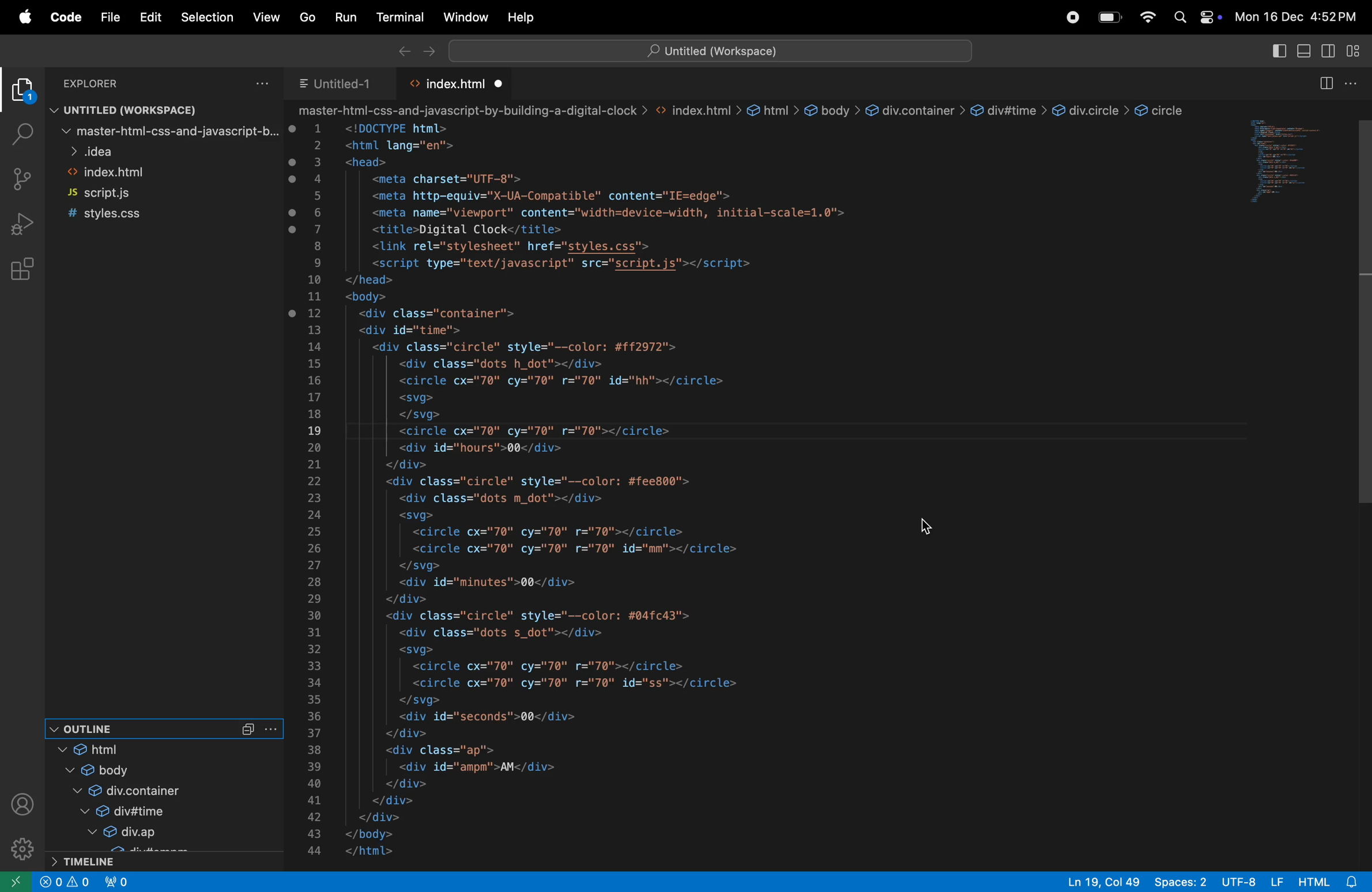  What do you see at coordinates (161, 728) in the screenshot?
I see `outline` at bounding box center [161, 728].